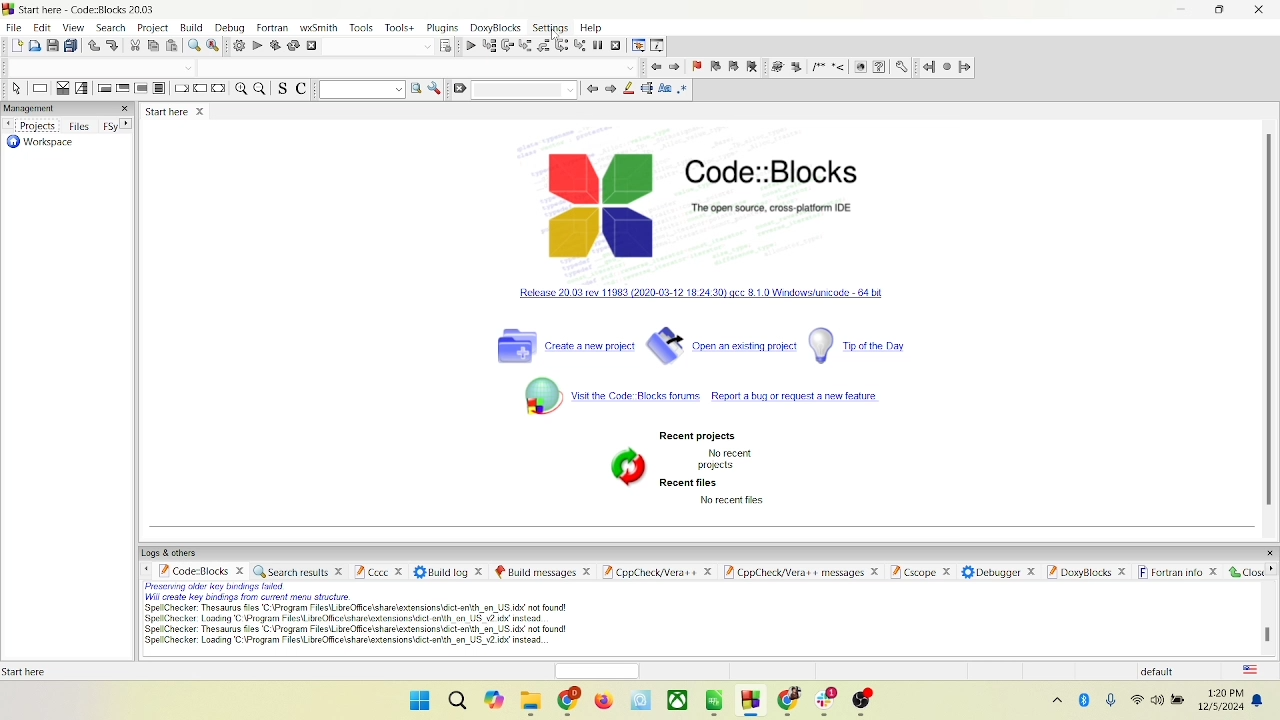 The width and height of the screenshot is (1280, 720). I want to click on settings, so click(899, 65).